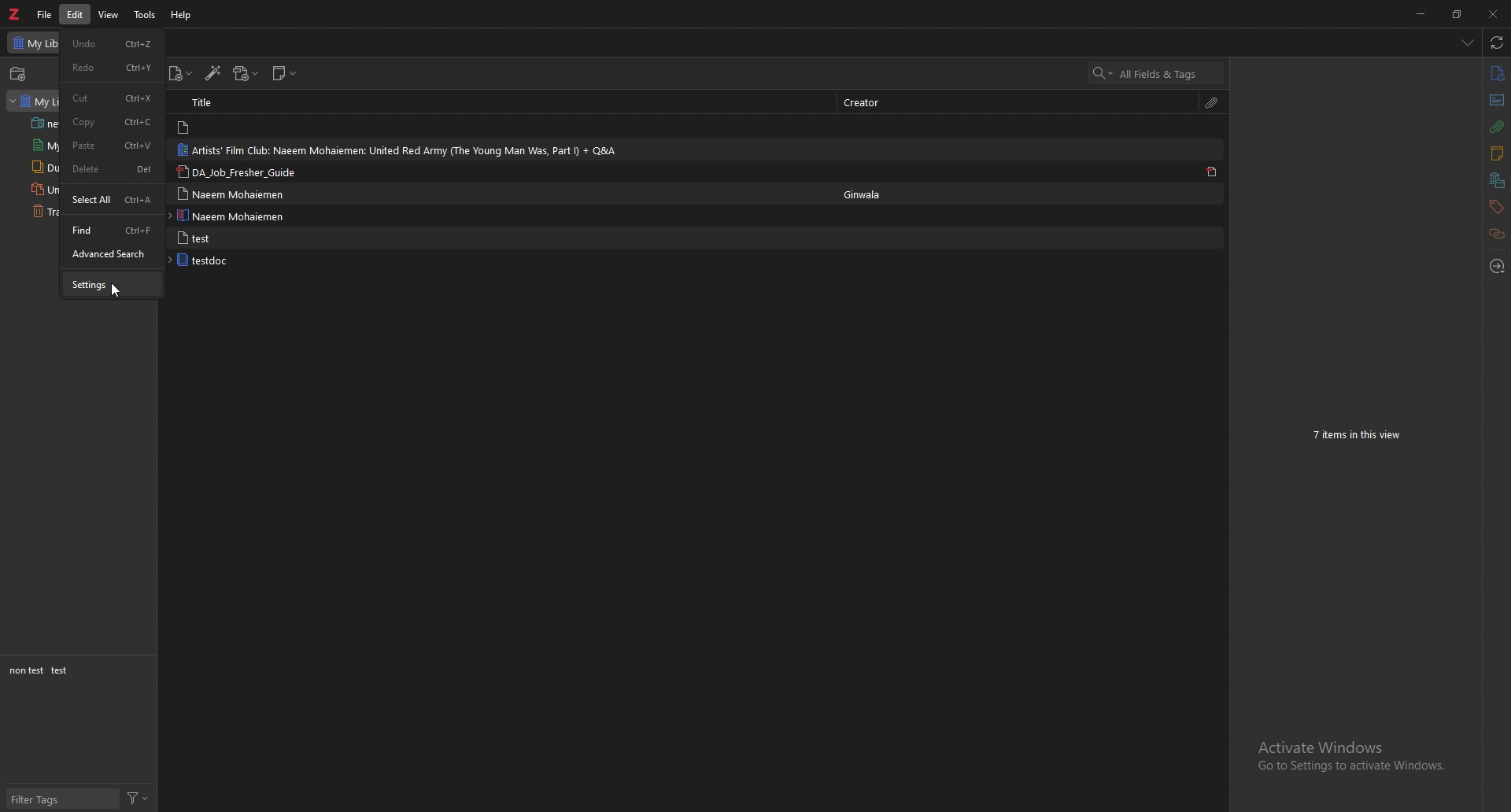  Describe the element at coordinates (109, 15) in the screenshot. I see `view` at that location.